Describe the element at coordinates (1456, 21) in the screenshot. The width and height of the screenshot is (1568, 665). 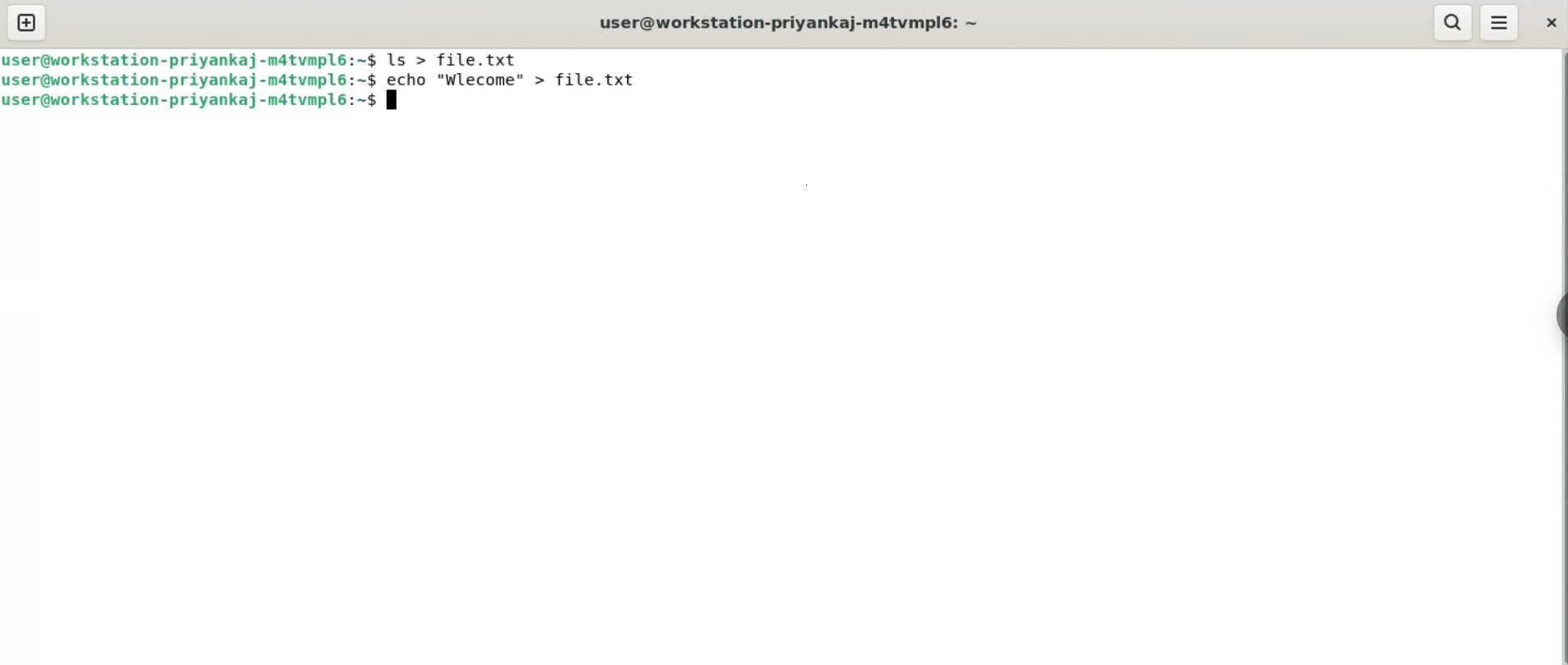
I see `search` at that location.